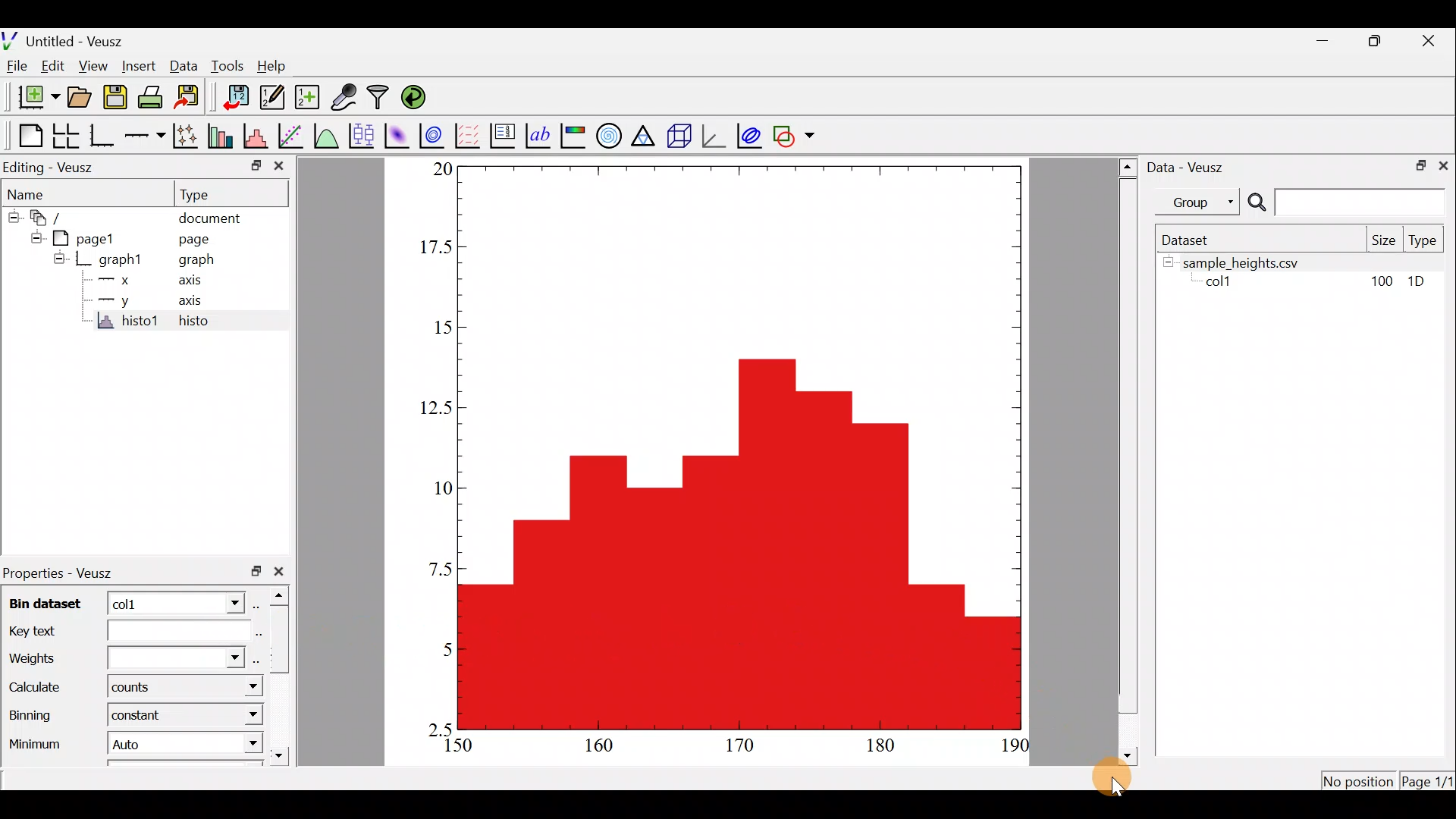 This screenshot has height=819, width=1456. What do you see at coordinates (138, 66) in the screenshot?
I see `Insert` at bounding box center [138, 66].